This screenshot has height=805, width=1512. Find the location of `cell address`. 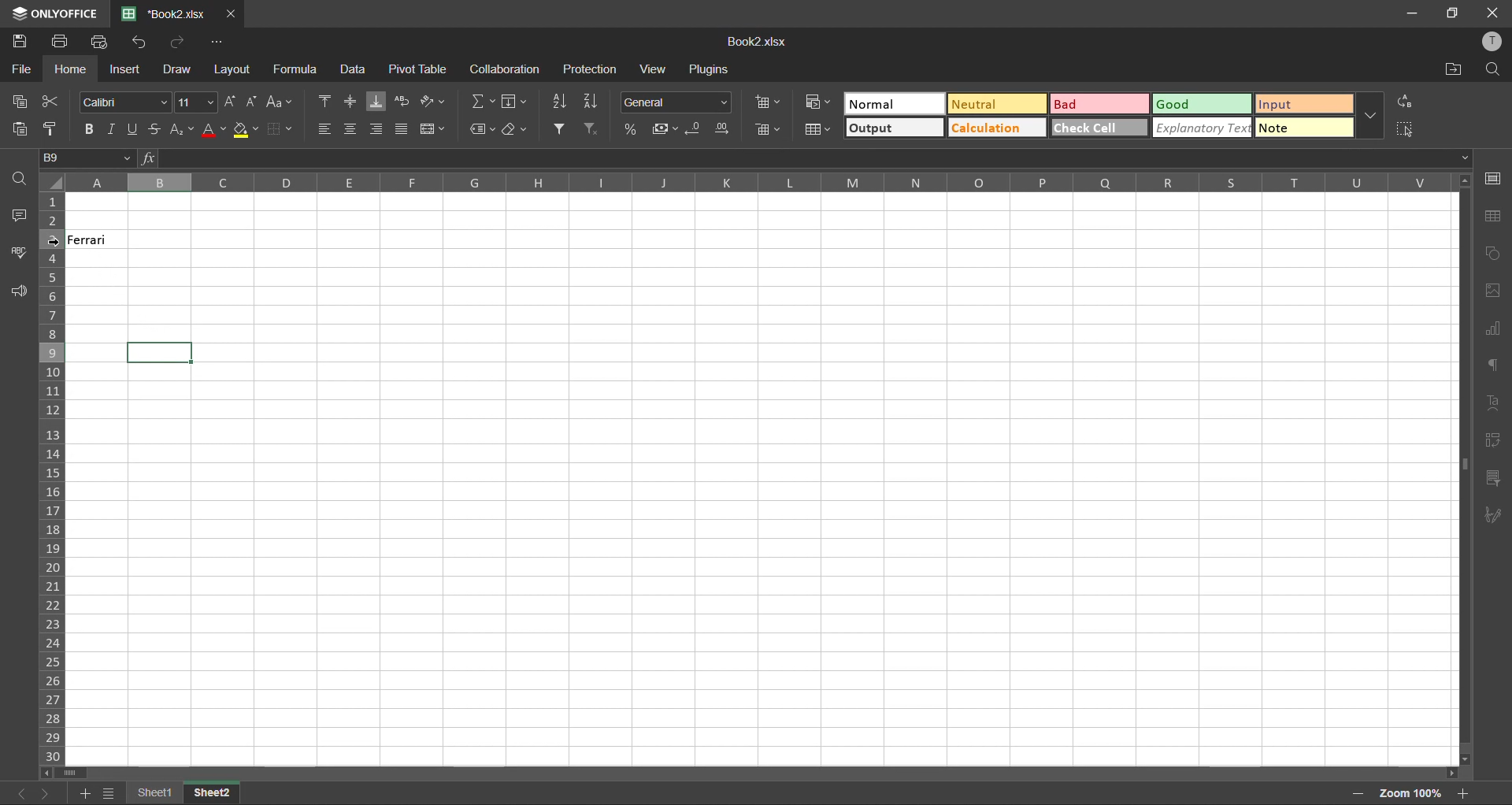

cell address is located at coordinates (90, 159).